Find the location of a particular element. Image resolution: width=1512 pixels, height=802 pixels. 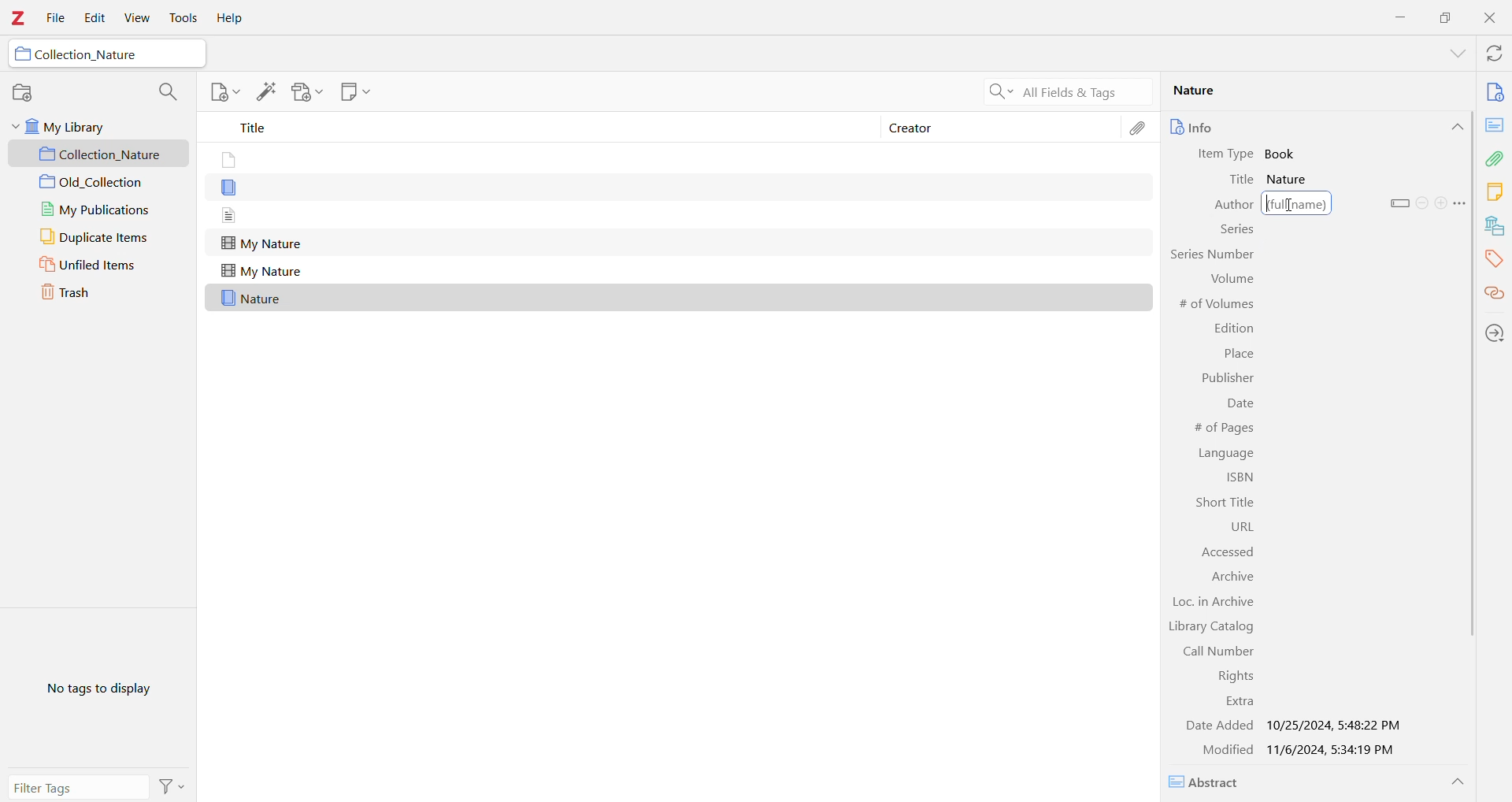

Author is located at coordinates (1224, 206).